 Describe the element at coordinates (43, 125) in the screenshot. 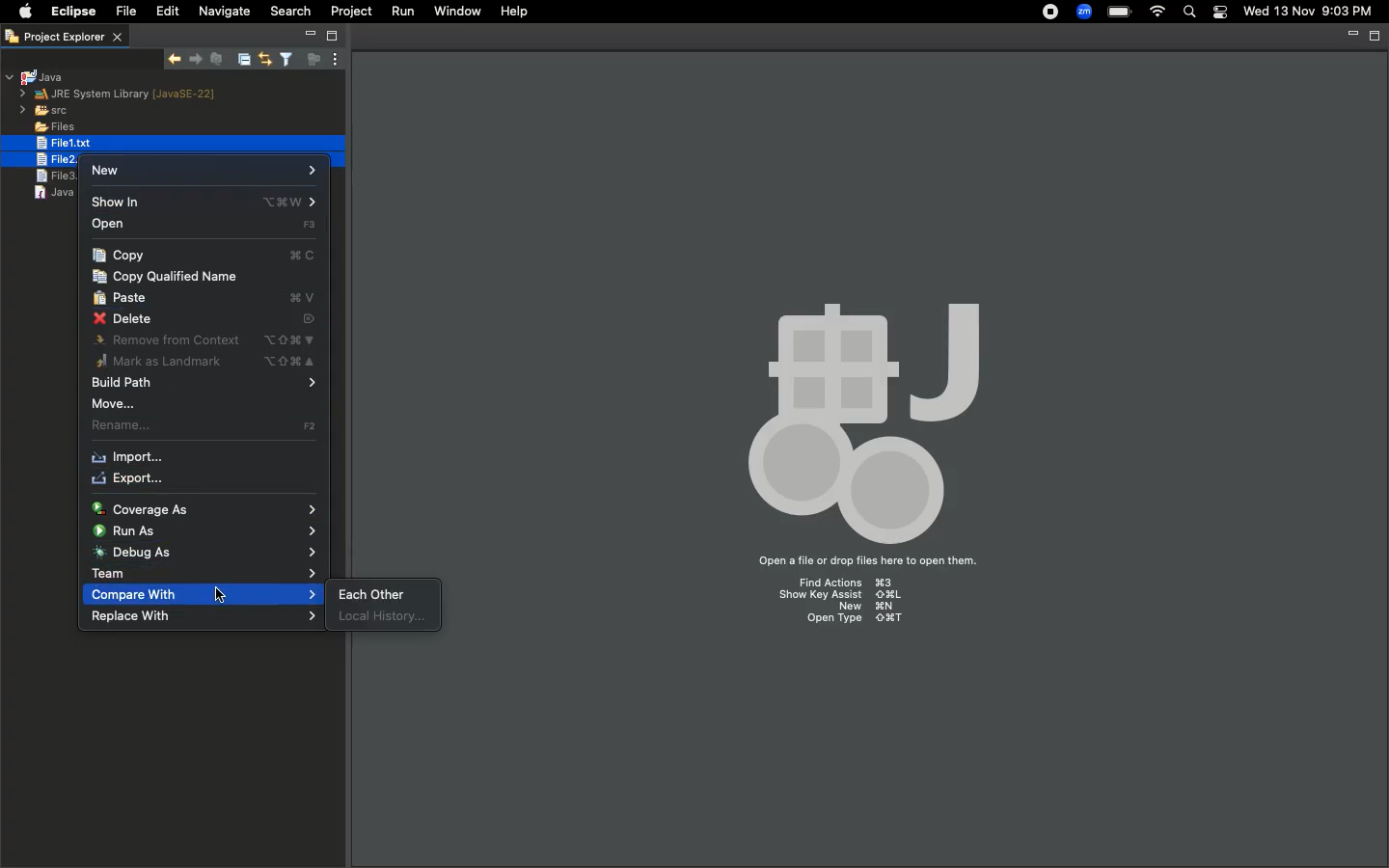

I see `Files` at that location.